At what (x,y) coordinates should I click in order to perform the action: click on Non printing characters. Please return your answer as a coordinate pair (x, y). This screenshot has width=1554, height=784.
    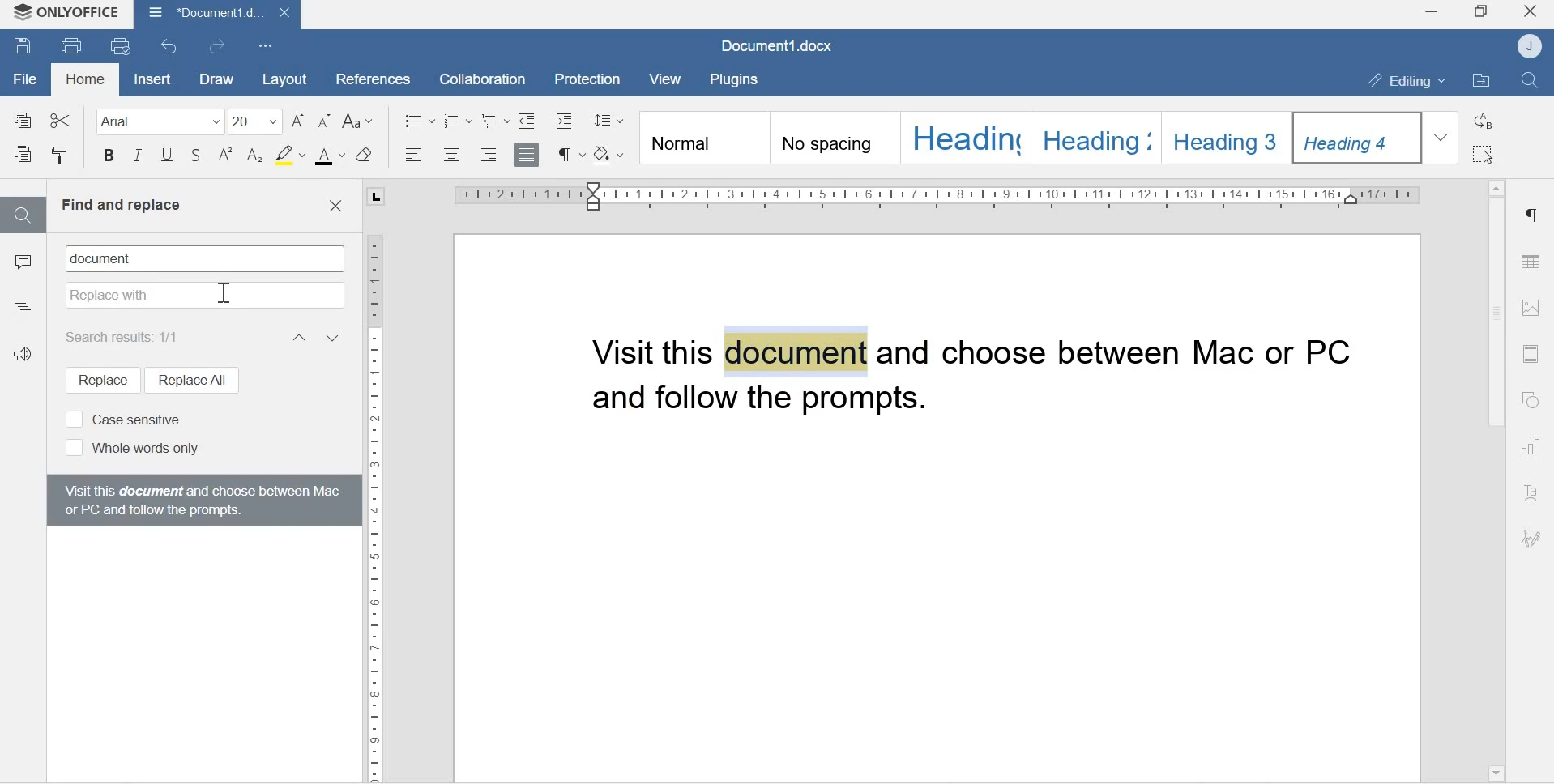
    Looking at the image, I should click on (570, 154).